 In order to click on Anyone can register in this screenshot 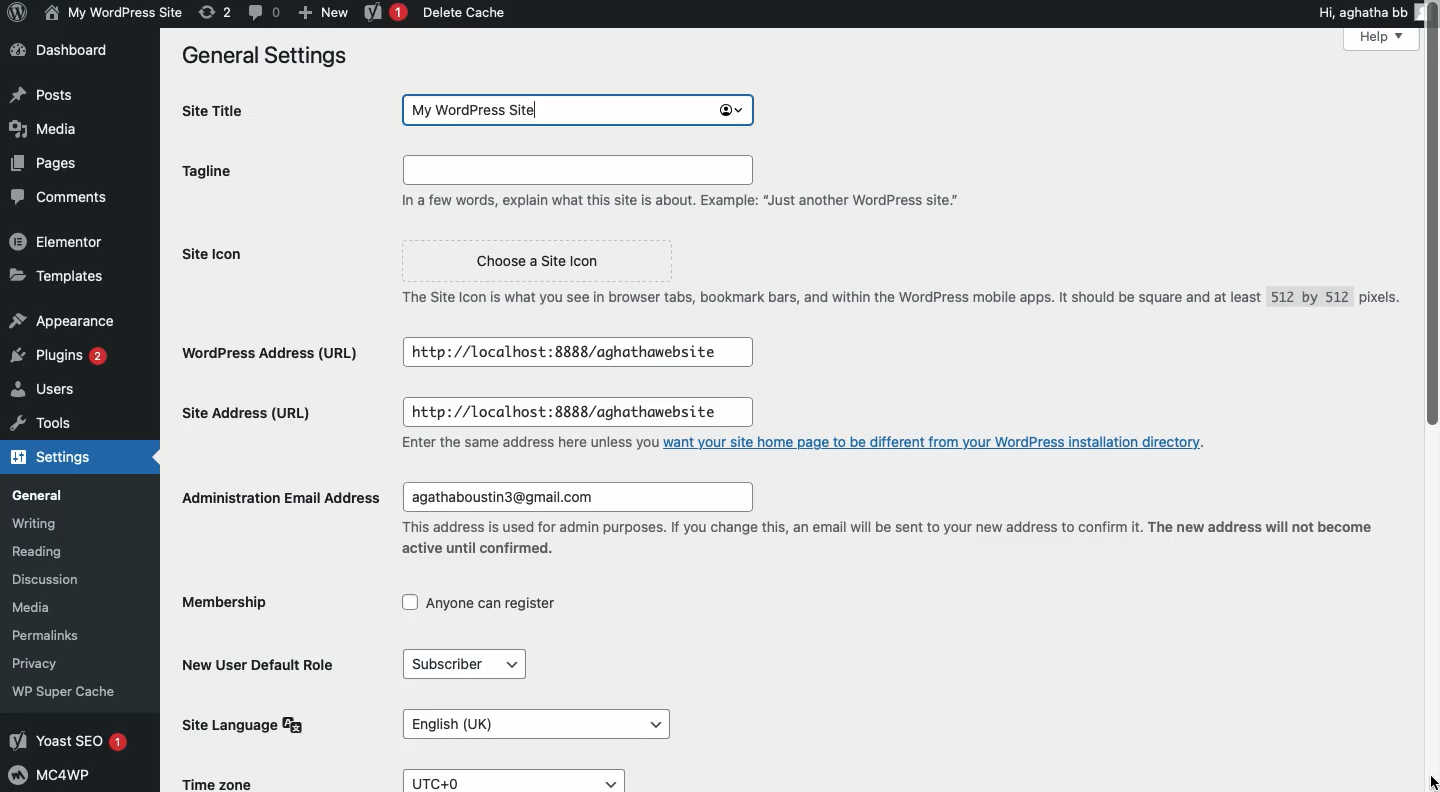, I will do `click(481, 604)`.